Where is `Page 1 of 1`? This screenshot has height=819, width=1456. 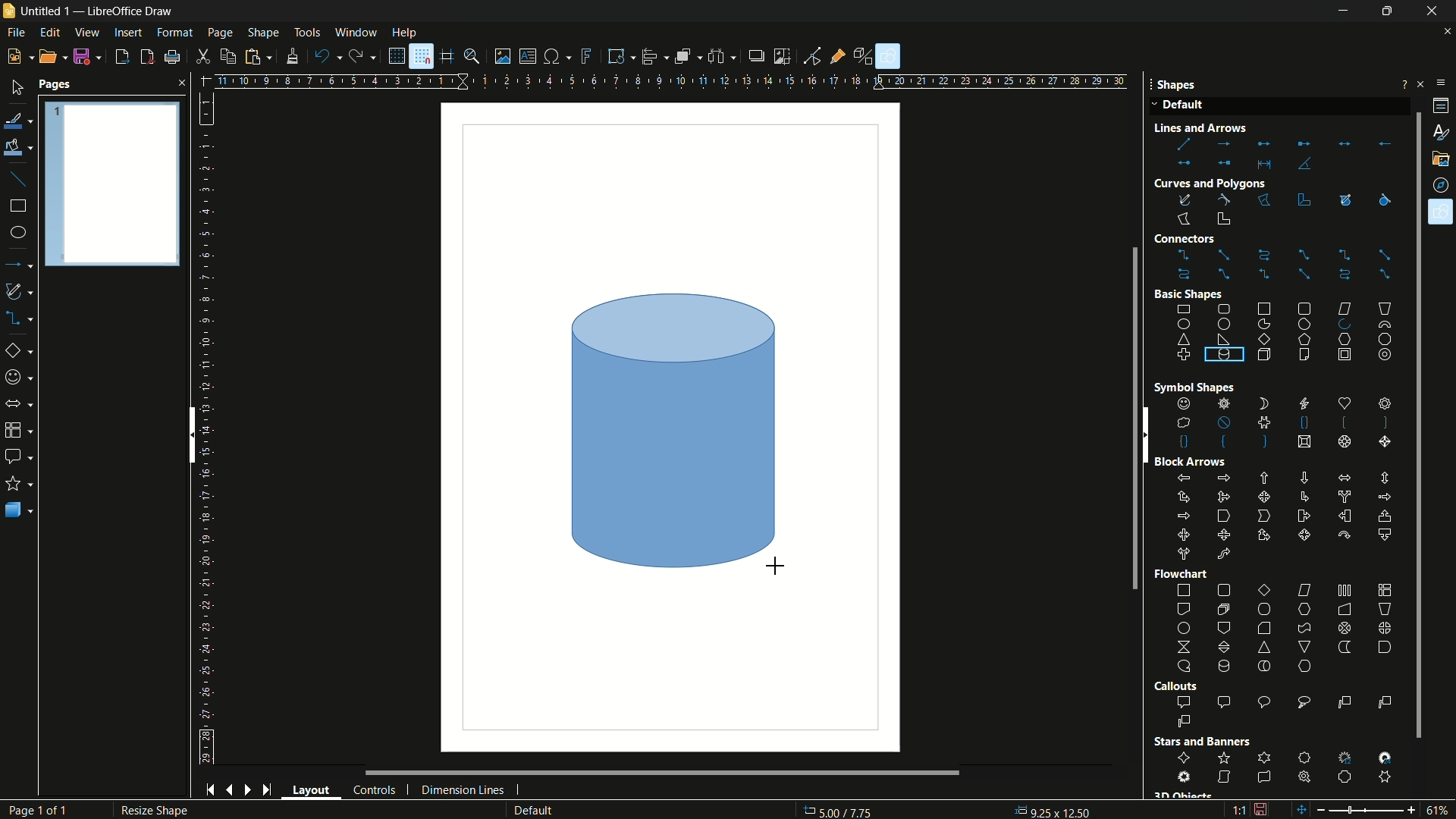
Page 1 of 1 is located at coordinates (45, 810).